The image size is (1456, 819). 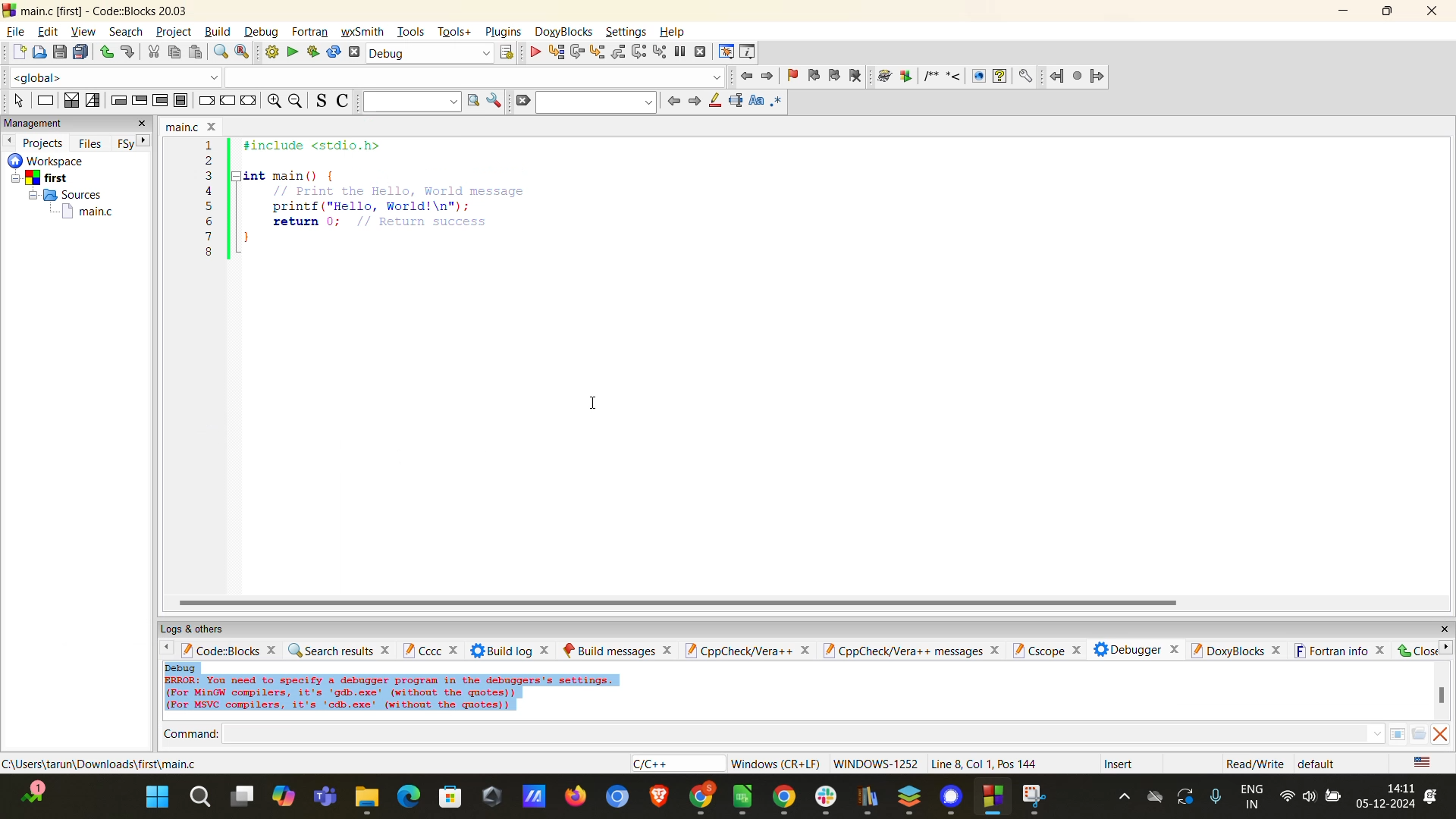 I want to click on various info, so click(x=749, y=52).